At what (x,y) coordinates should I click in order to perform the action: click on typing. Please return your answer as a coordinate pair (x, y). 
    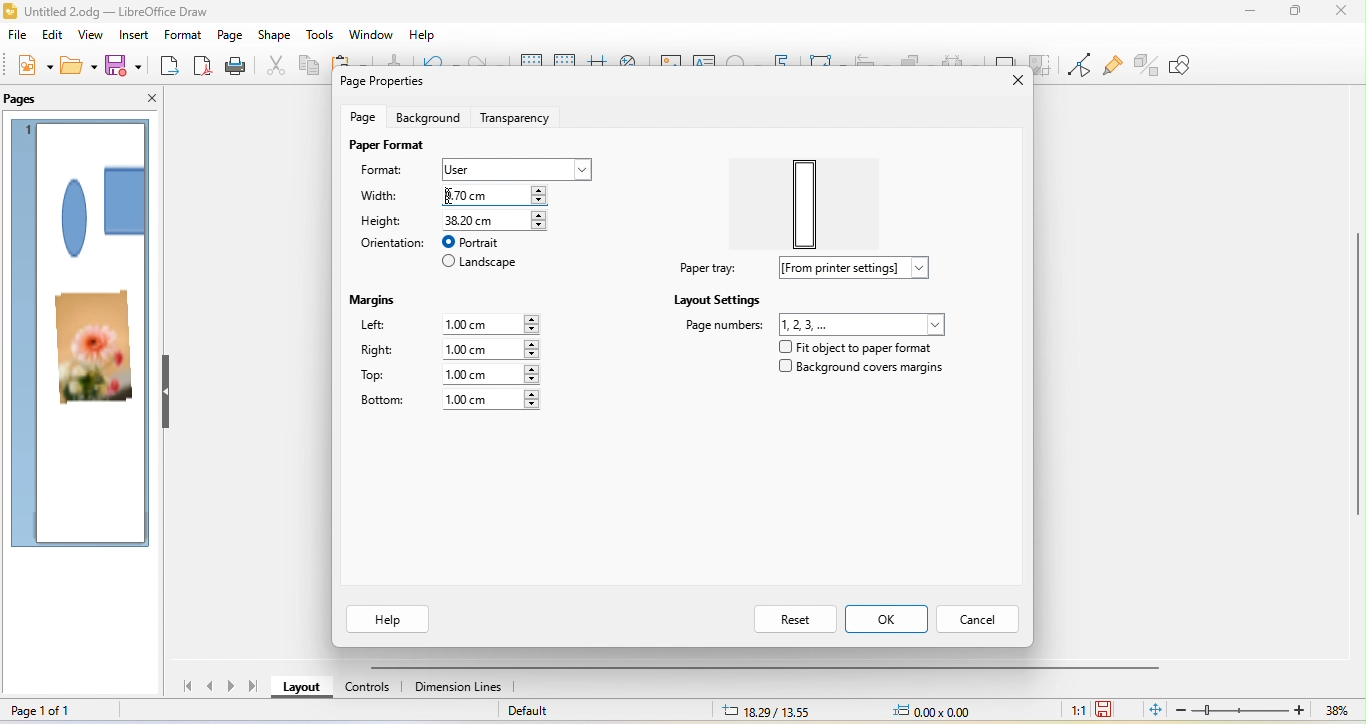
    Looking at the image, I should click on (490, 196).